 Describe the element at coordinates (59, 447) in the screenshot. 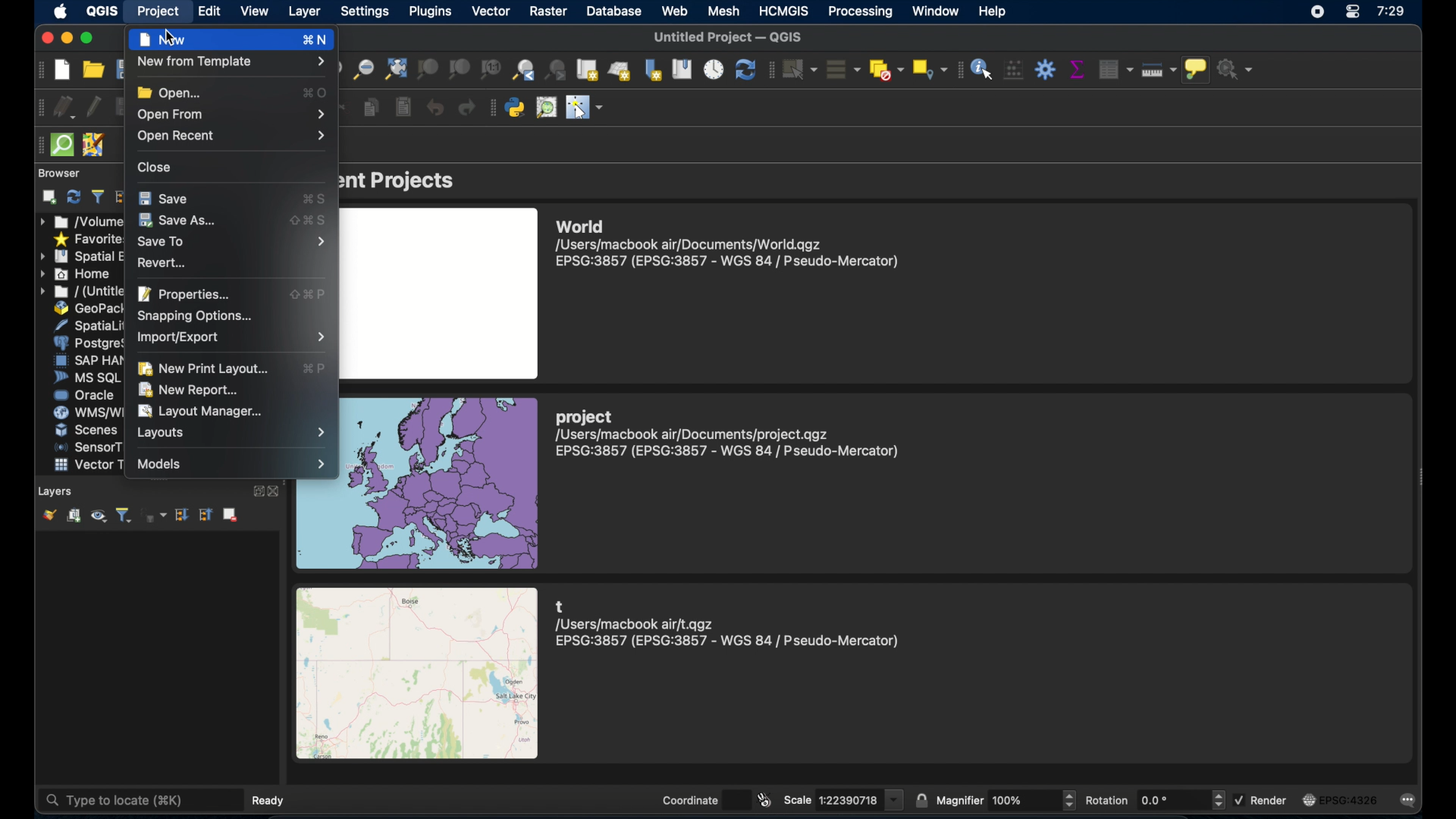

I see `icon` at that location.